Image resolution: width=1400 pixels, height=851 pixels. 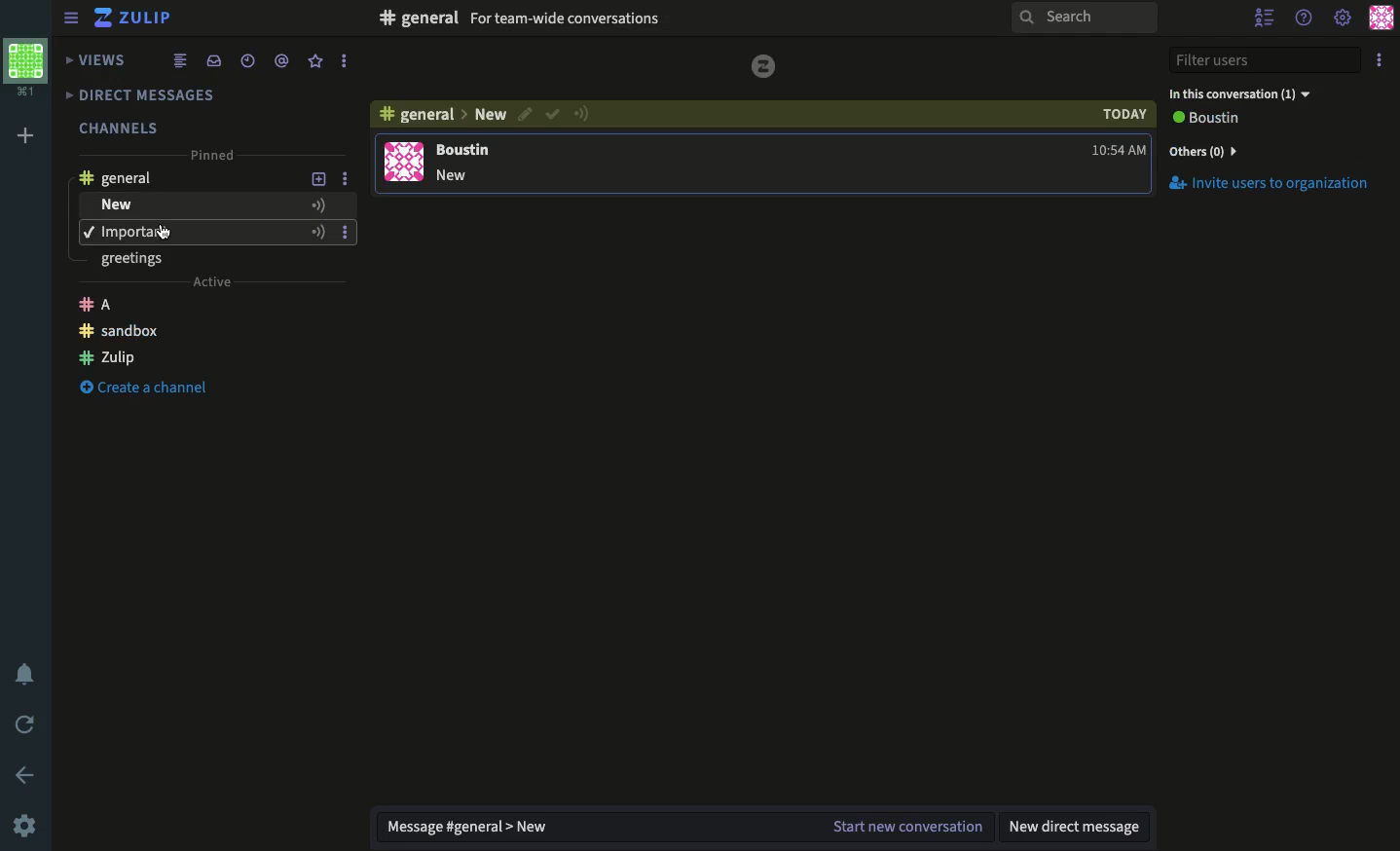 I want to click on View all users, so click(x=1220, y=120).